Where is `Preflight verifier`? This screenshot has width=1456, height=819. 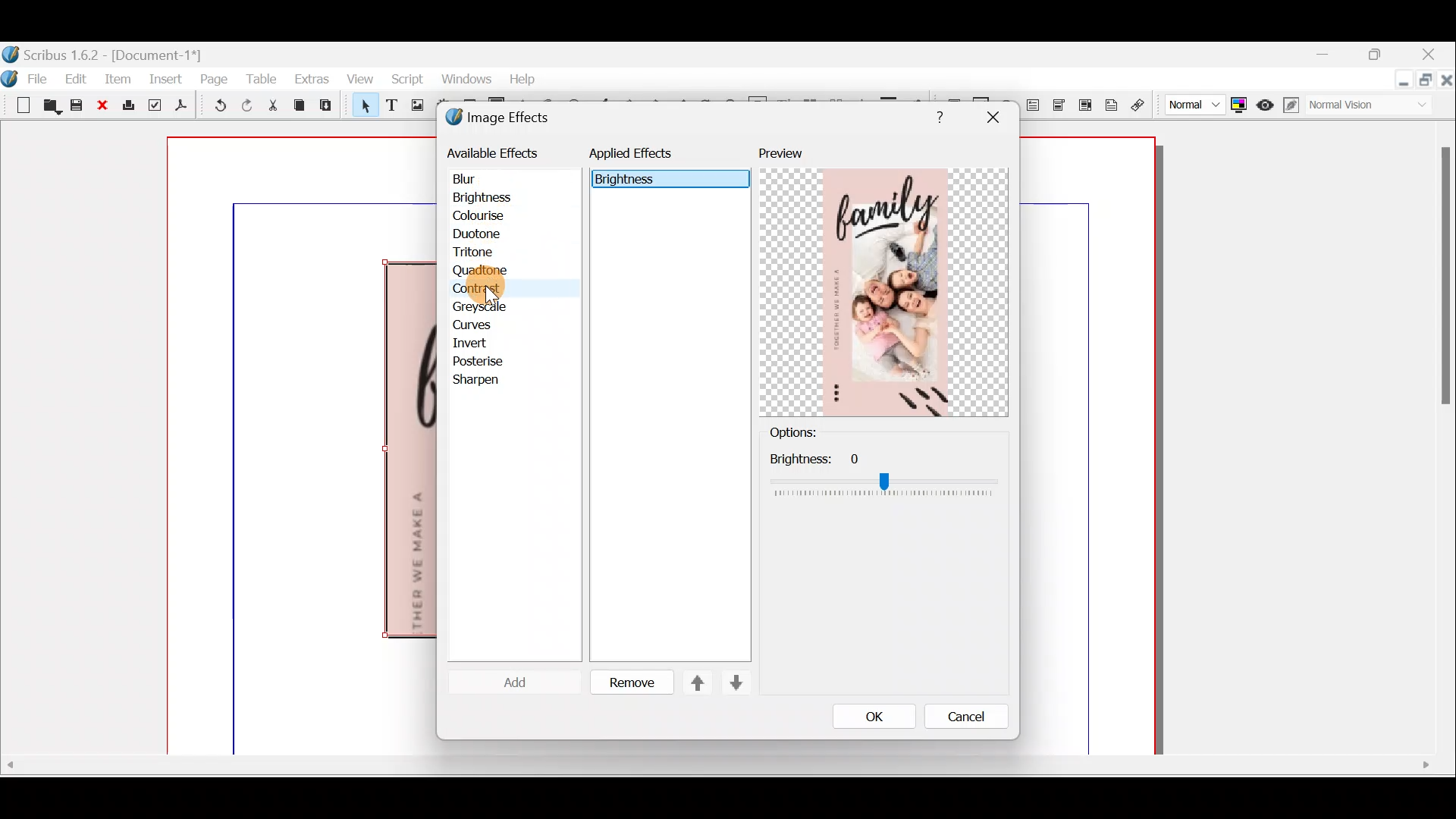
Preflight verifier is located at coordinates (153, 108).